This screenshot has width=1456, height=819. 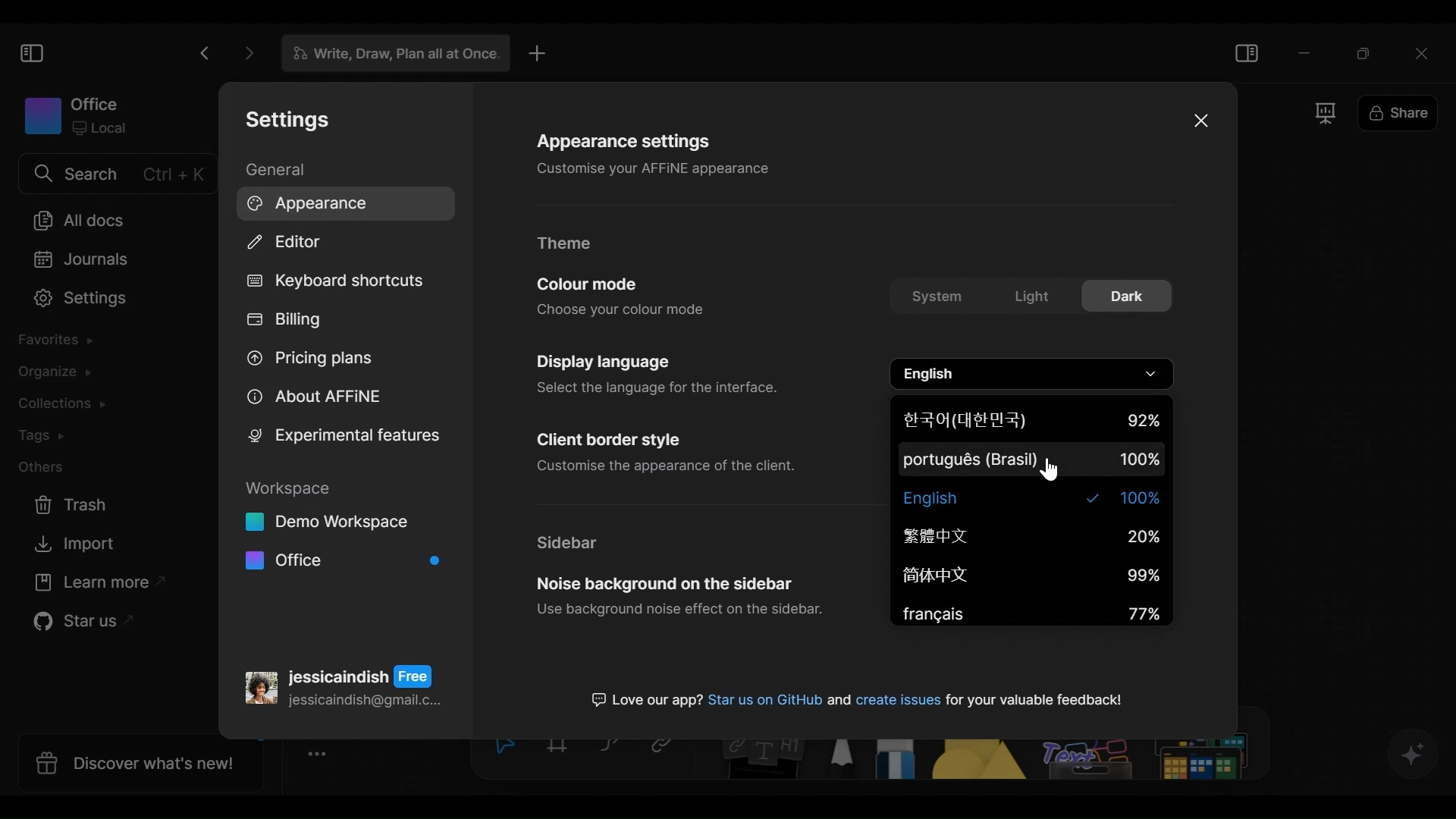 I want to click on Search, so click(x=116, y=174).